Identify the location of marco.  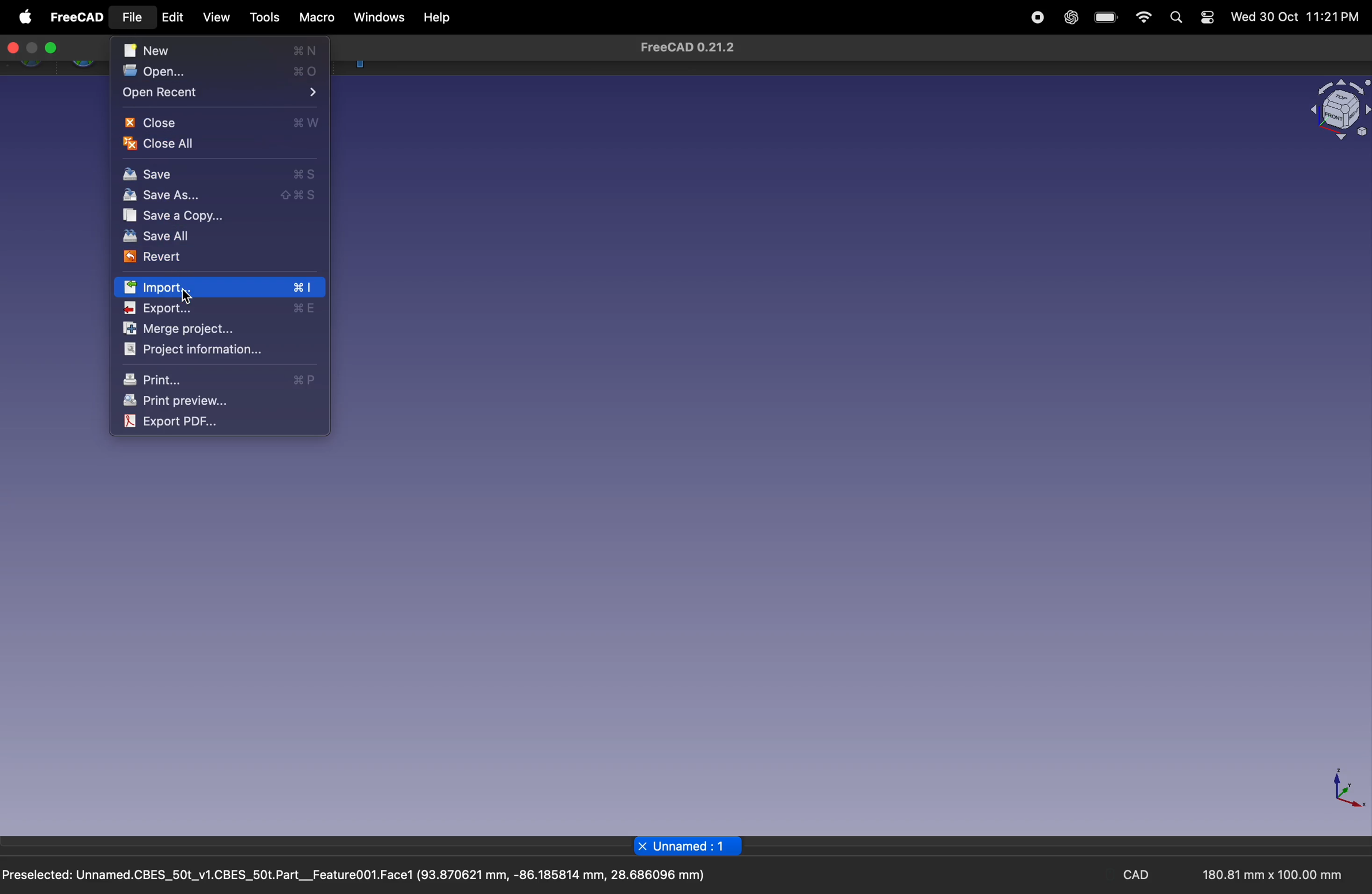
(315, 18).